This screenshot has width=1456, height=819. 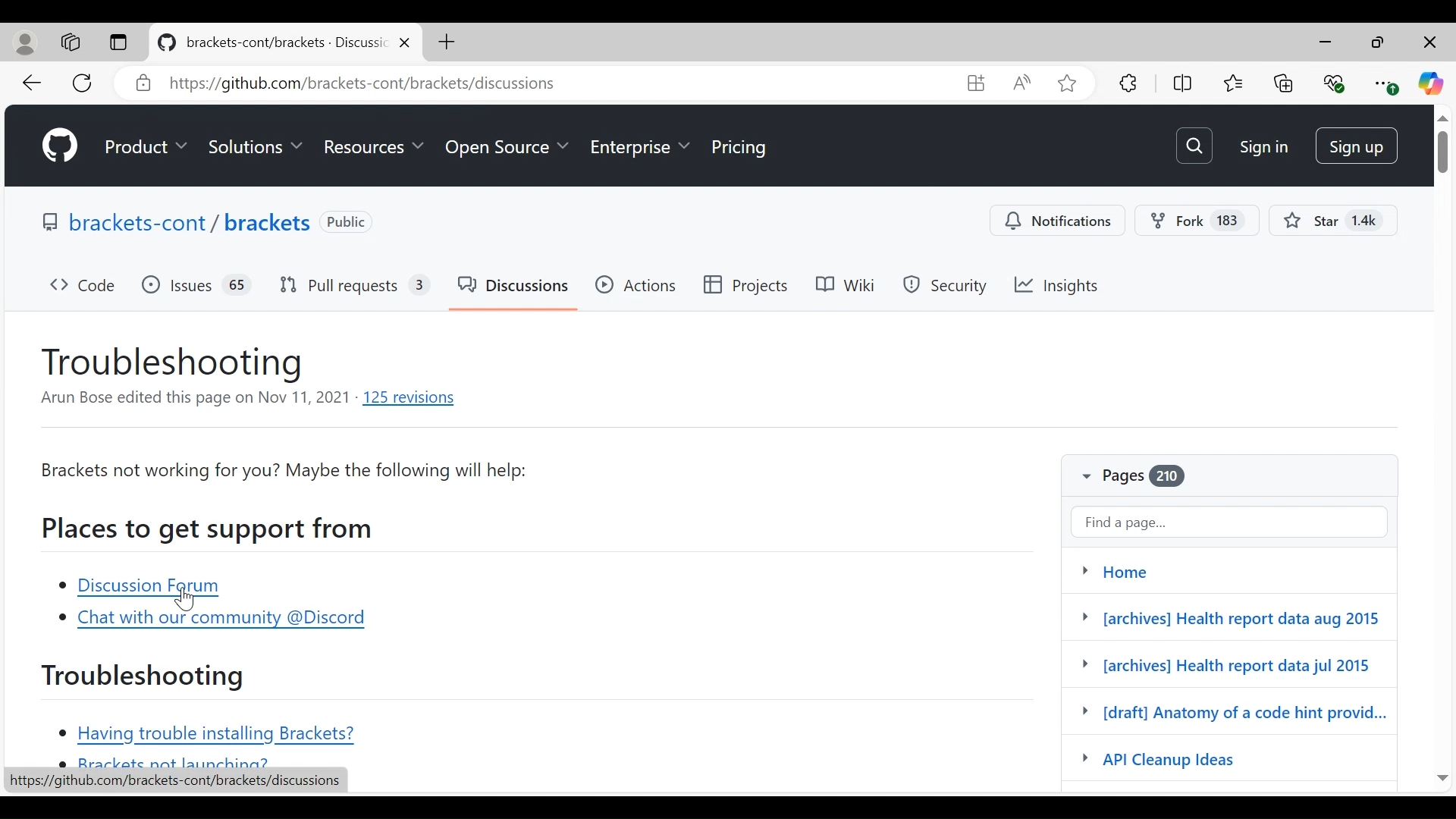 I want to click on ©  https//github.com/brackets-cont/brackets/discussions, so click(x=472, y=85).